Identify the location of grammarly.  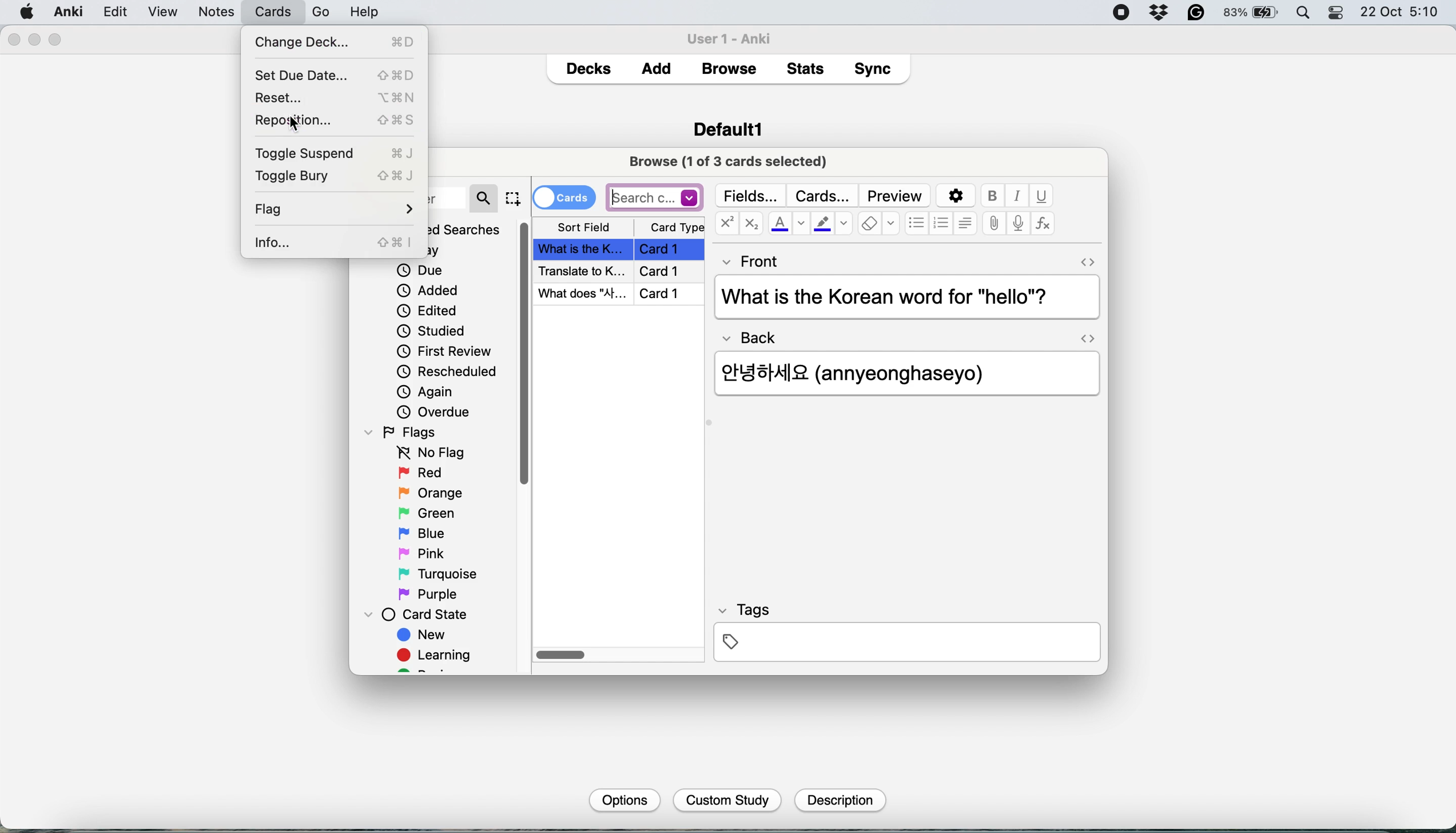
(1197, 13).